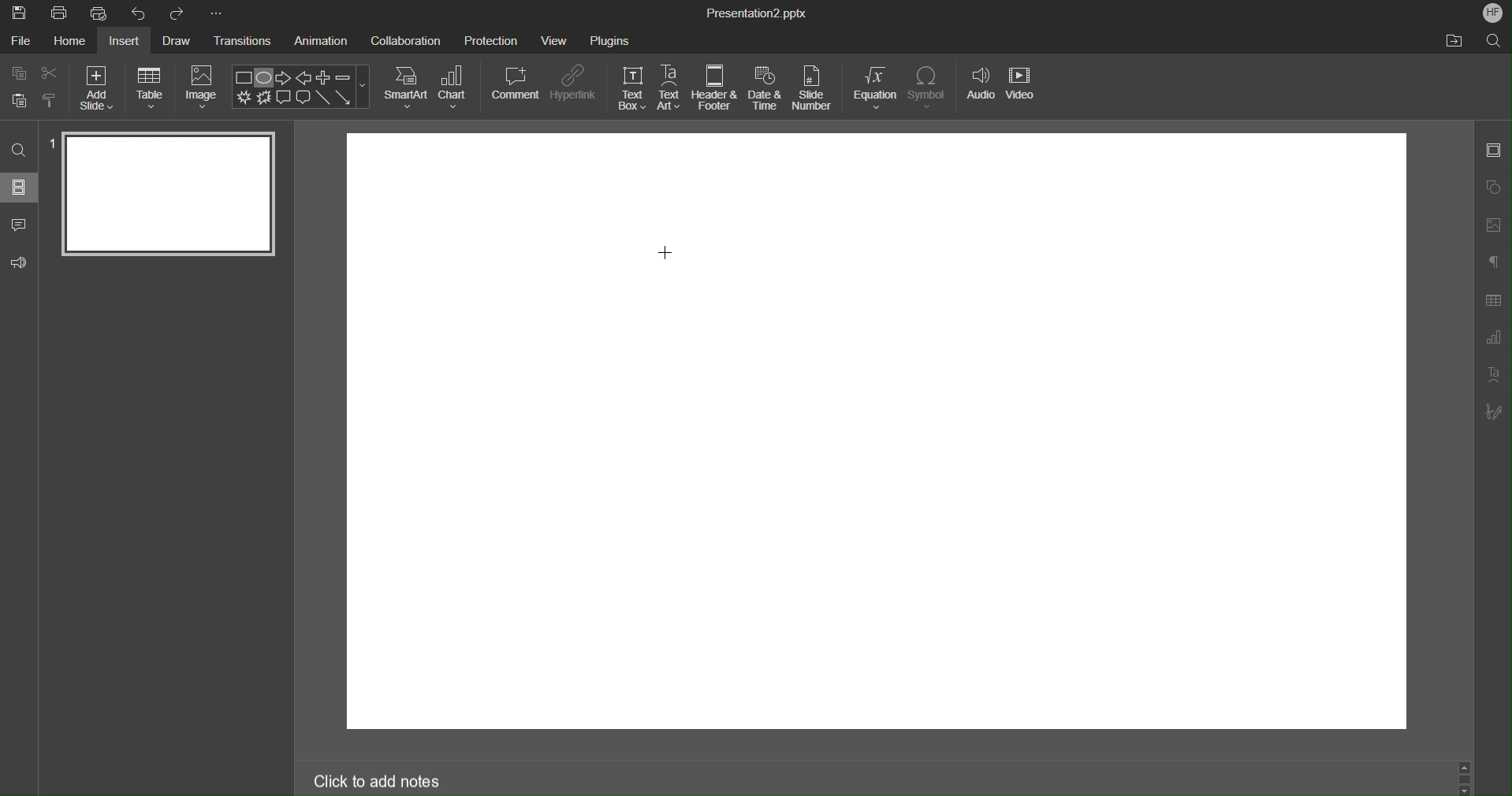  What do you see at coordinates (875, 88) in the screenshot?
I see `Equation` at bounding box center [875, 88].